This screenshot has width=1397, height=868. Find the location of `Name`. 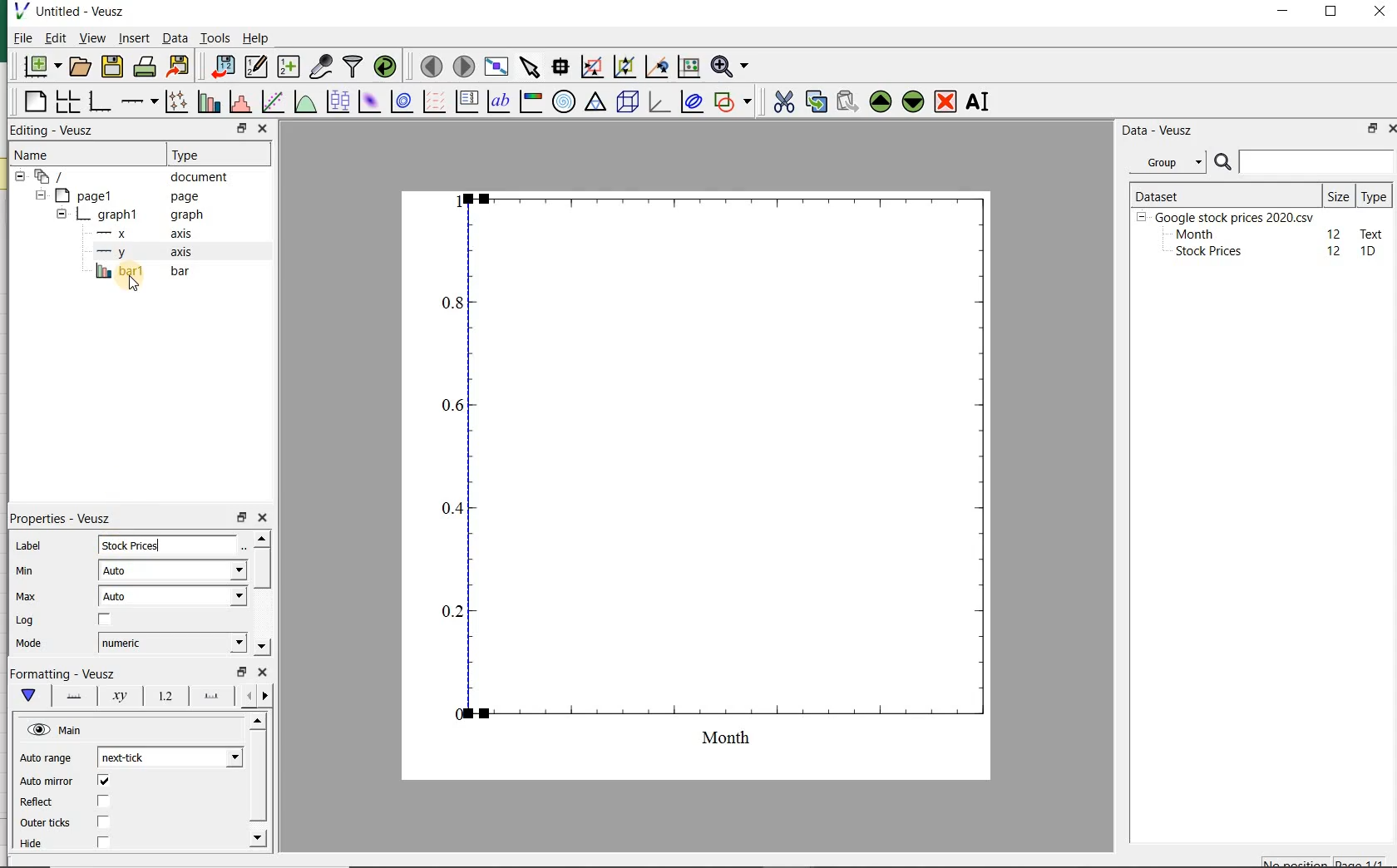

Name is located at coordinates (42, 155).